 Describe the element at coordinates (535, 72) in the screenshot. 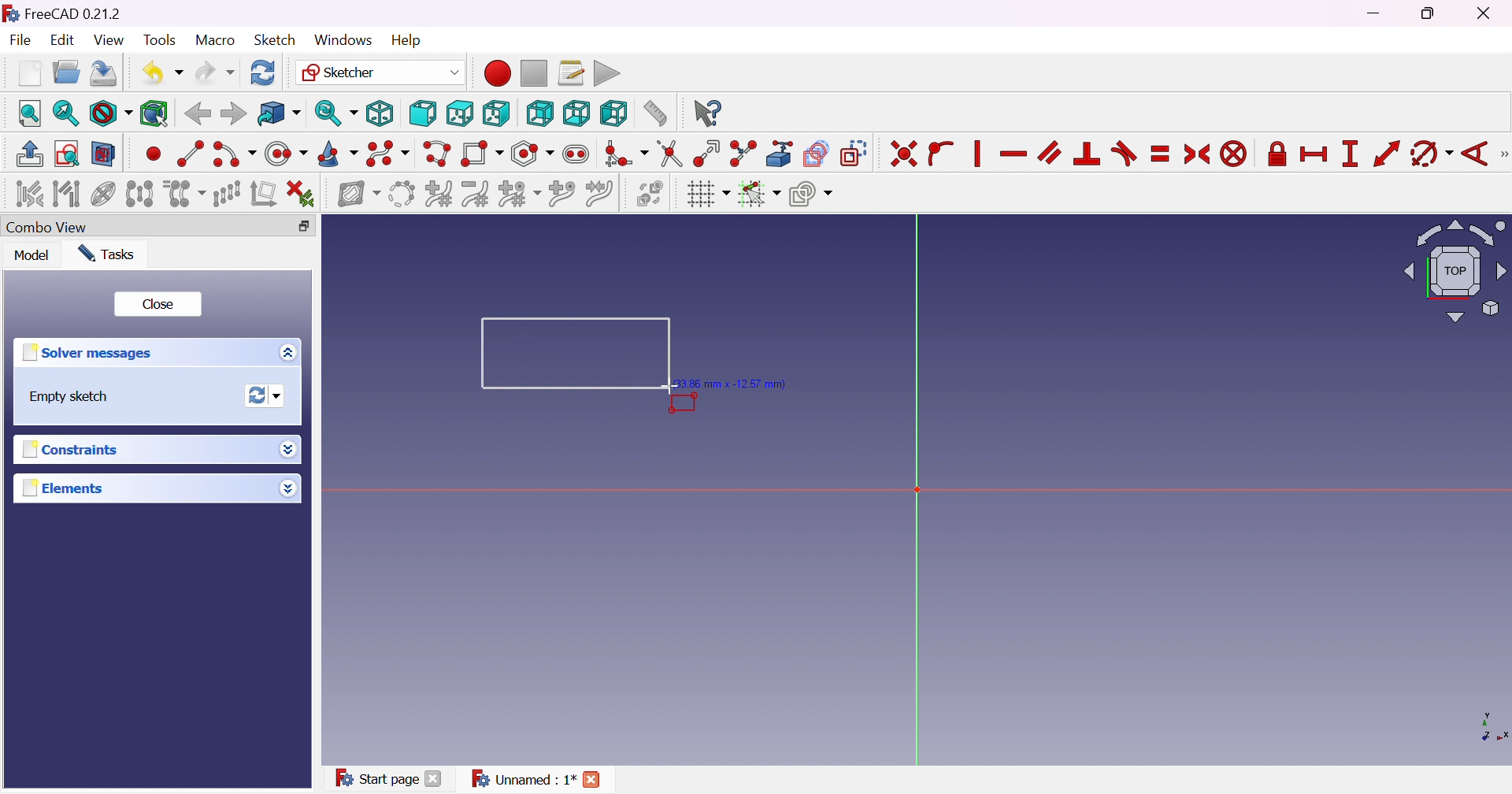

I see `Stop macro recording...` at that location.